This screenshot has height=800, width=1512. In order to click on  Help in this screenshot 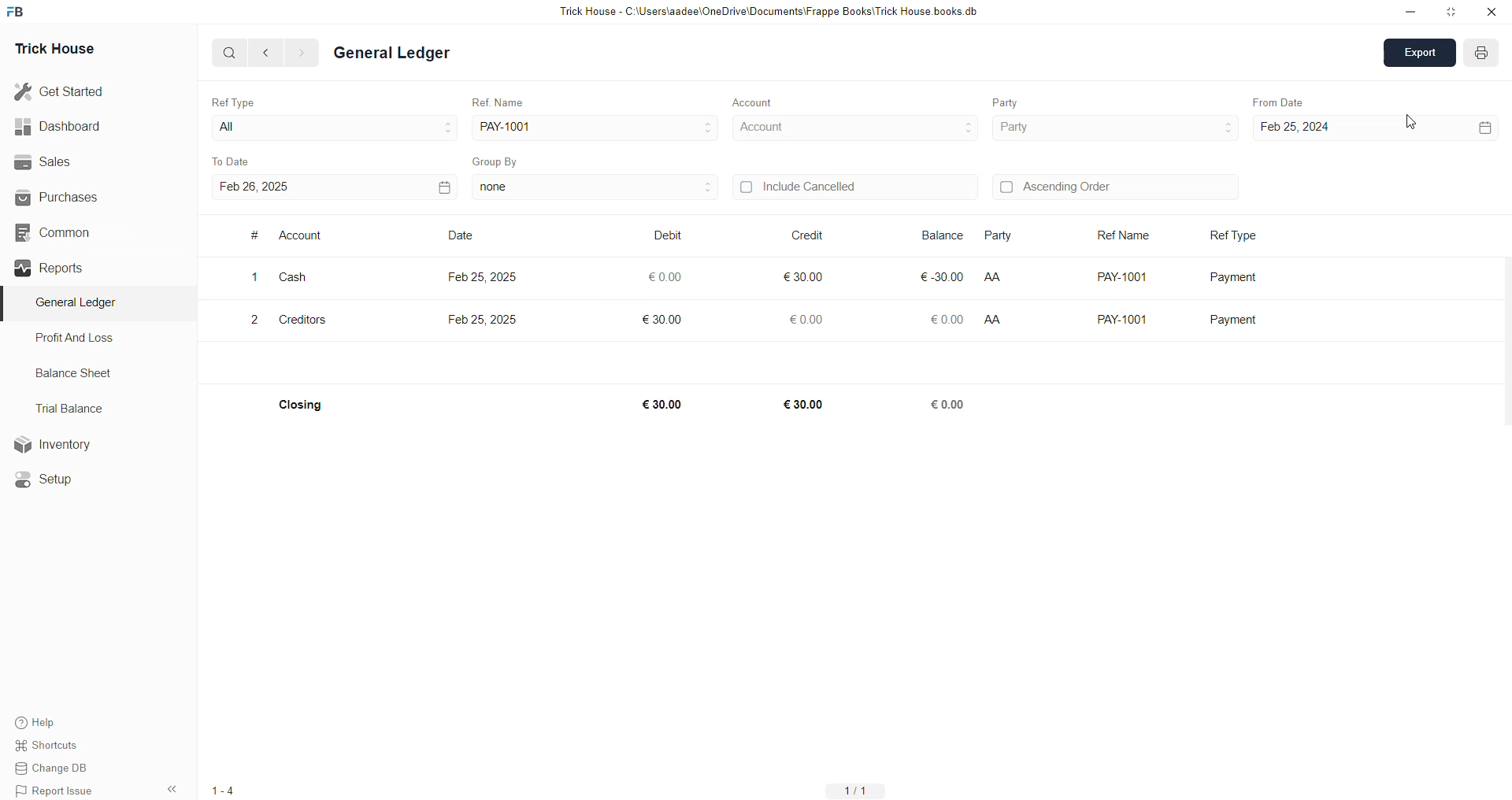, I will do `click(59, 720)`.